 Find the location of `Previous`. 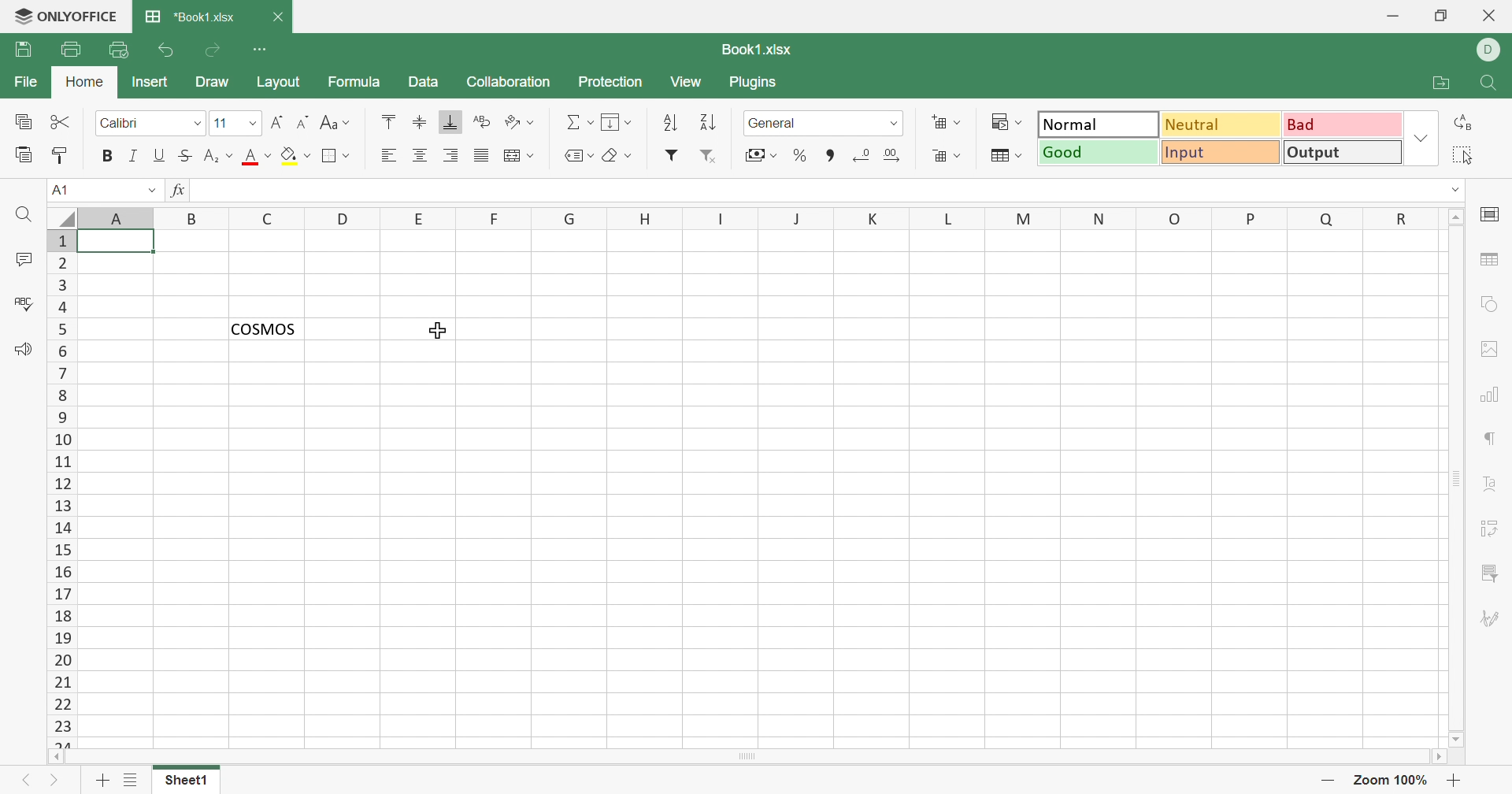

Previous is located at coordinates (24, 781).